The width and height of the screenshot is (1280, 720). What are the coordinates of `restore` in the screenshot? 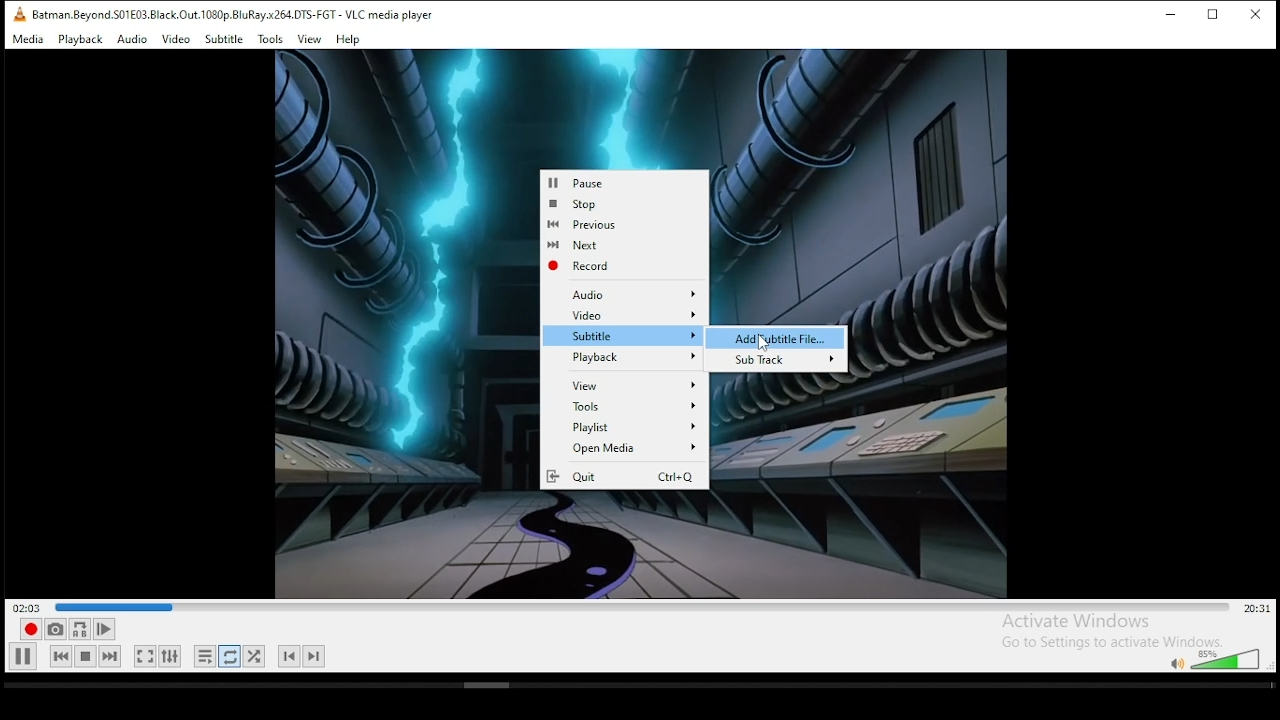 It's located at (1215, 15).